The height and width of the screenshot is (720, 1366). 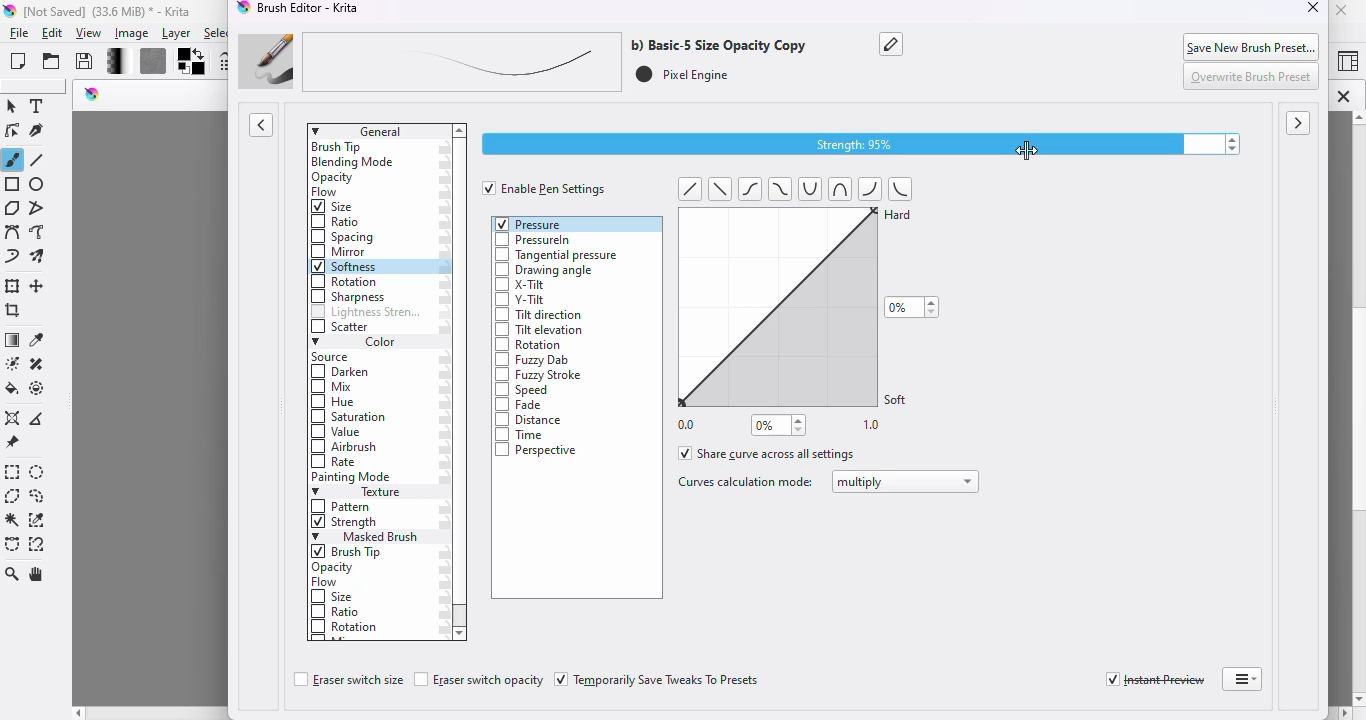 What do you see at coordinates (40, 207) in the screenshot?
I see `polyline tool` at bounding box center [40, 207].